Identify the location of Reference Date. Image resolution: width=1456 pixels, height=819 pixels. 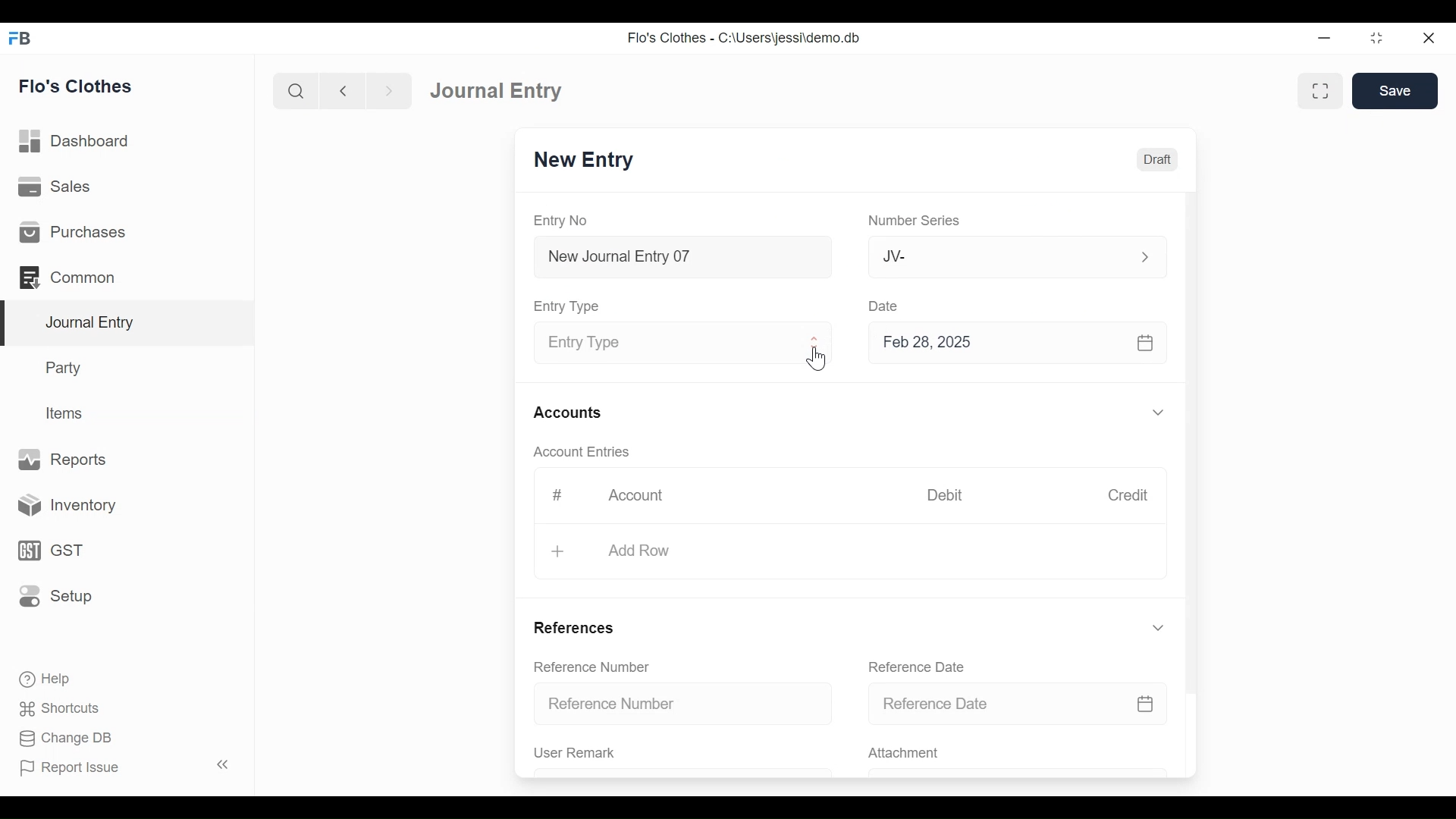
(915, 667).